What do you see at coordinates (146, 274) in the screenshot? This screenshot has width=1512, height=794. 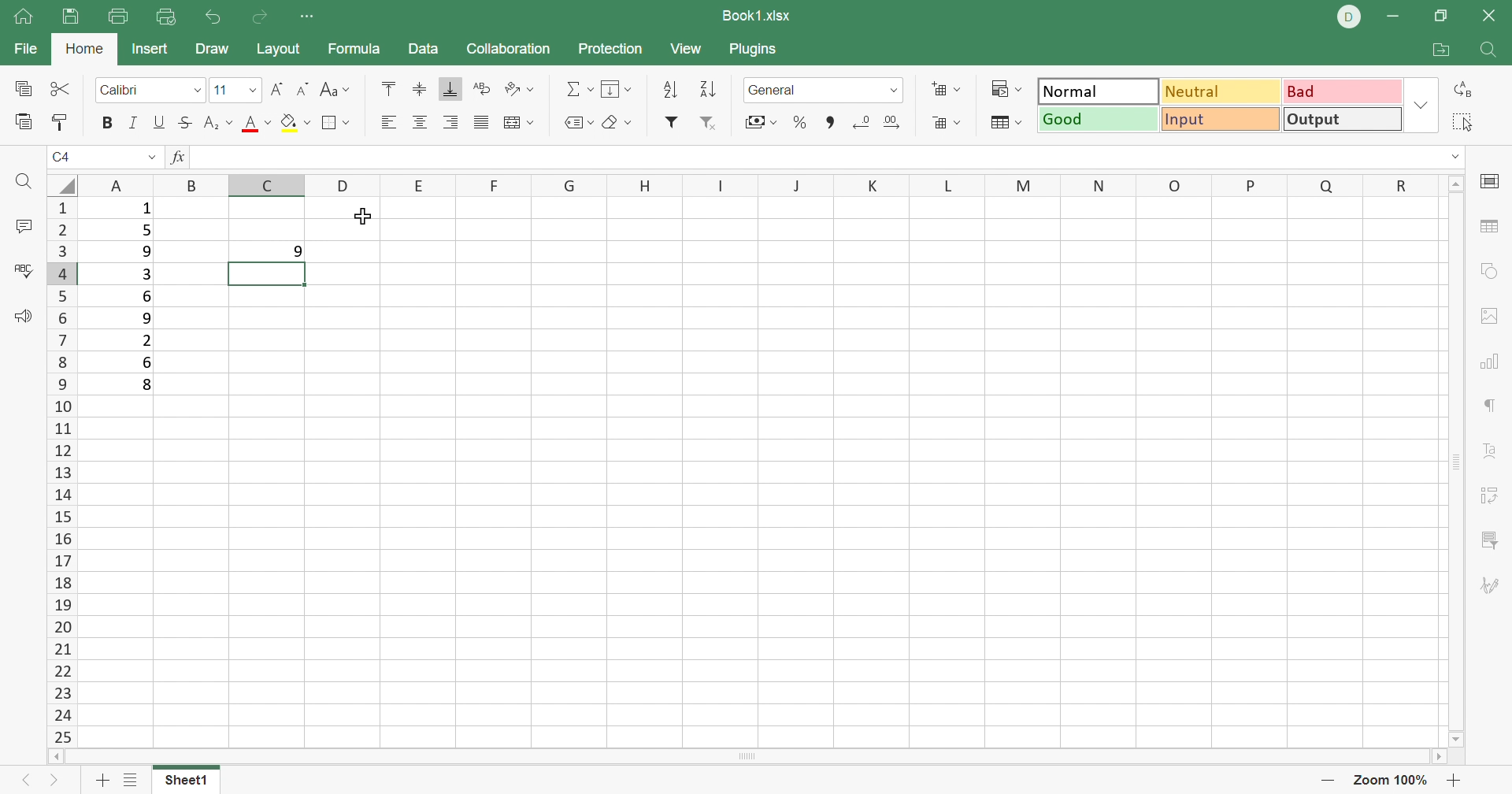 I see `3` at bounding box center [146, 274].